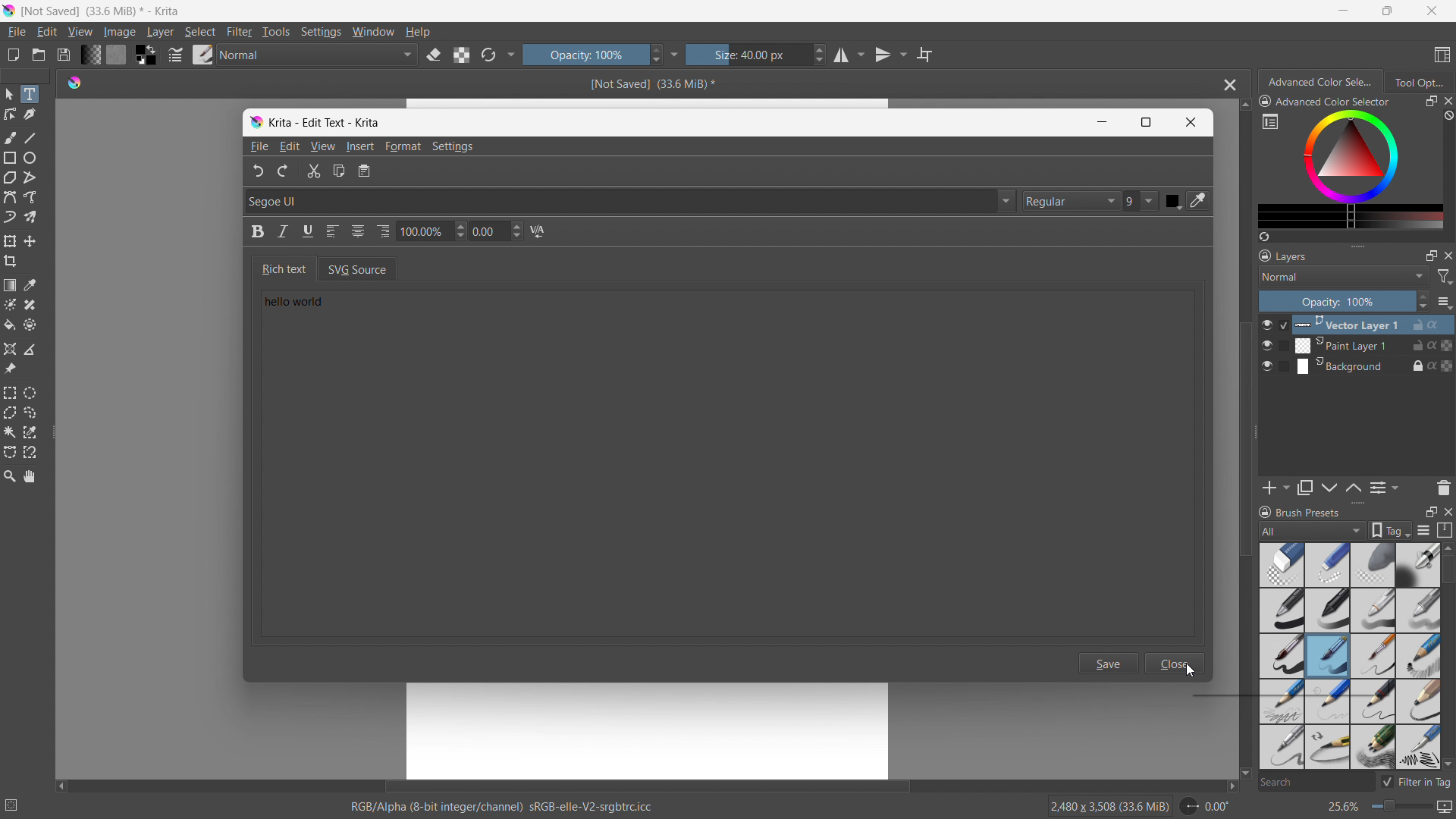 Image resolution: width=1456 pixels, height=819 pixels. What do you see at coordinates (372, 172) in the screenshot?
I see `notepad` at bounding box center [372, 172].